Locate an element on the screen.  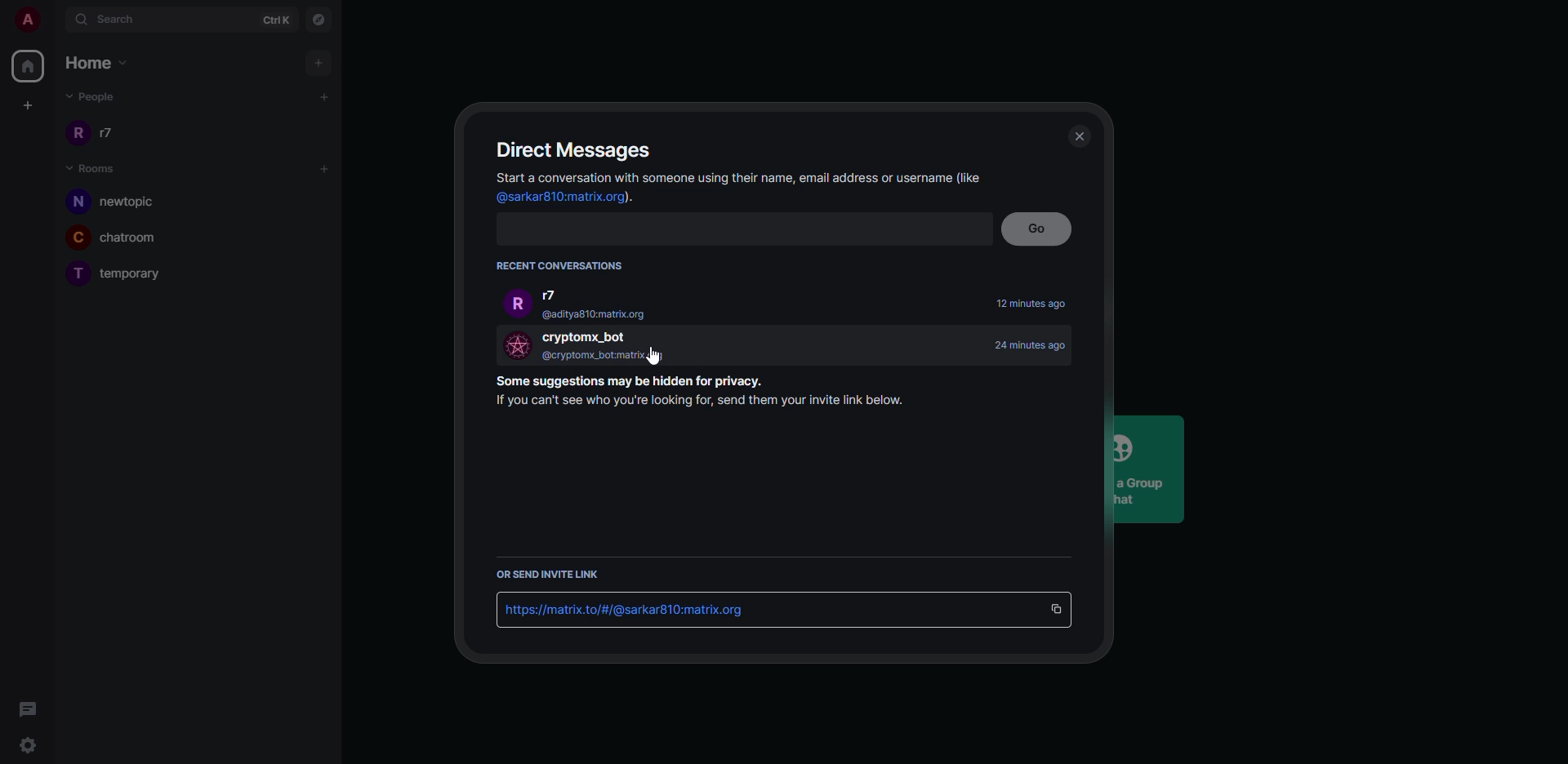
n is located at coordinates (79, 202).